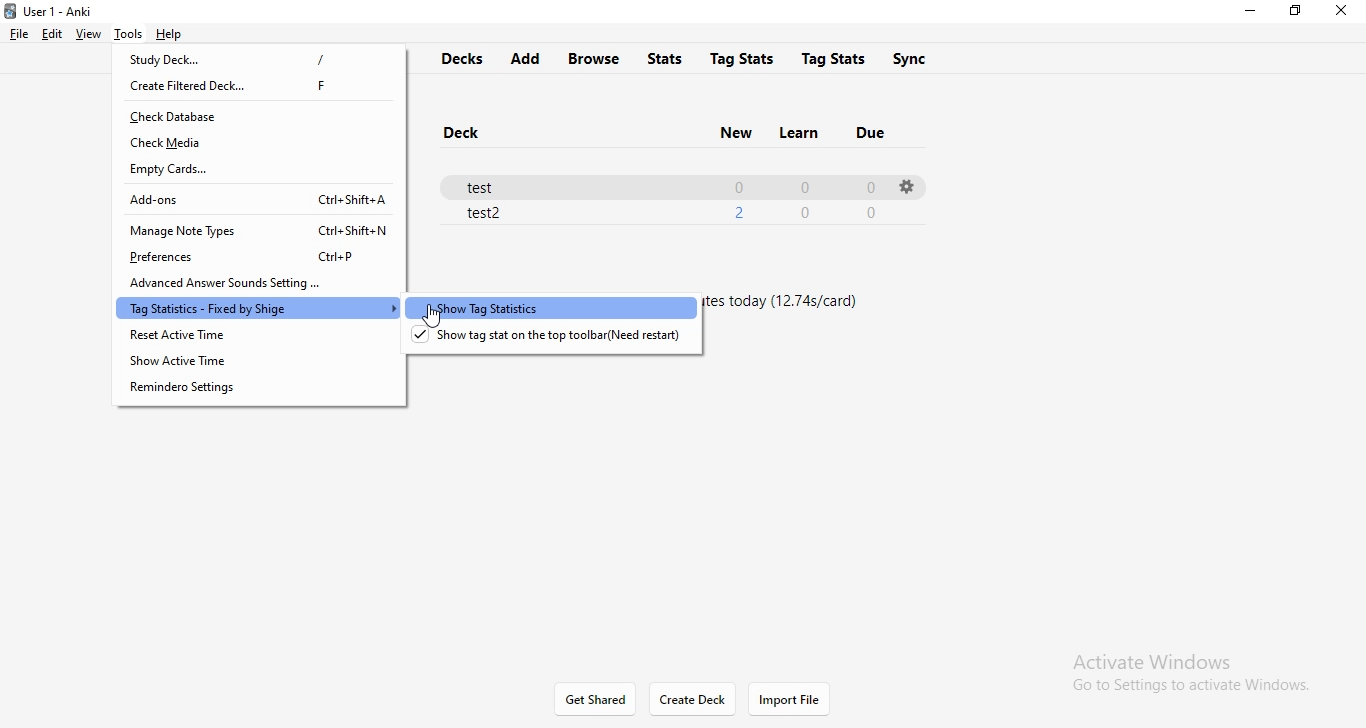  Describe the element at coordinates (1256, 13) in the screenshot. I see `minimise` at that location.